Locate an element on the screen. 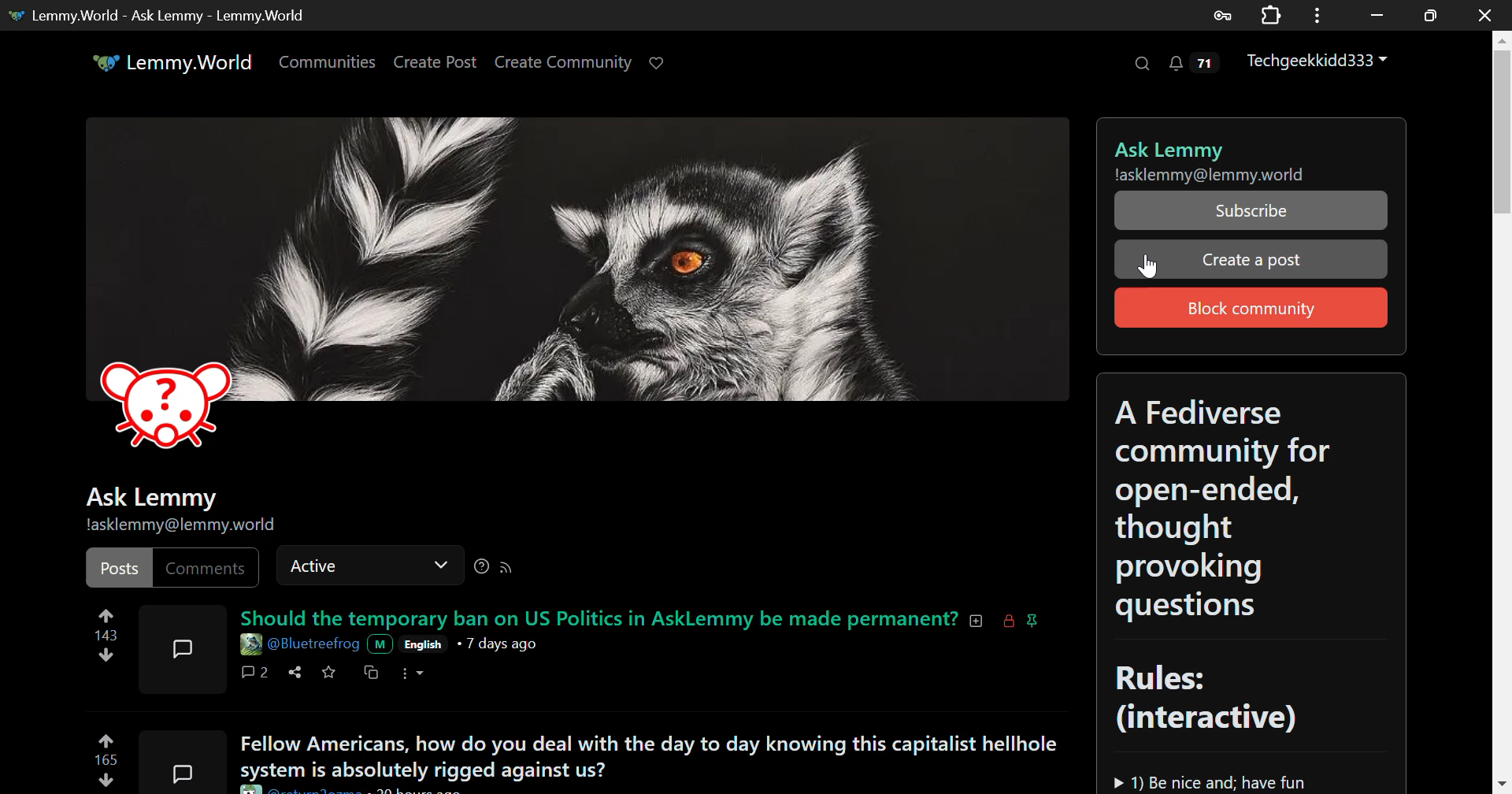  Lemmy.World is located at coordinates (175, 62).